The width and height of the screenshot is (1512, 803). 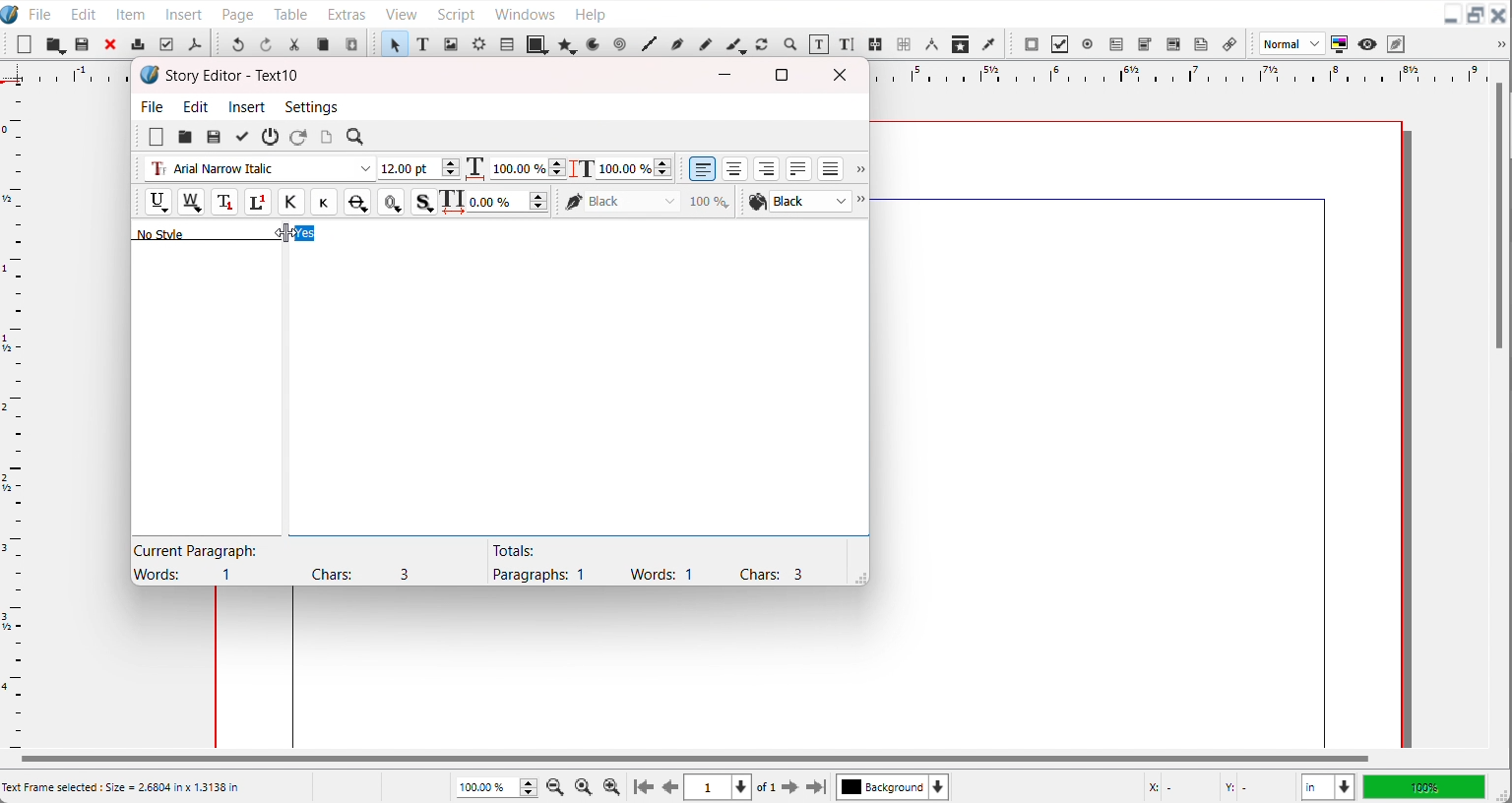 What do you see at coordinates (1341, 44) in the screenshot?
I see `Toggle color` at bounding box center [1341, 44].